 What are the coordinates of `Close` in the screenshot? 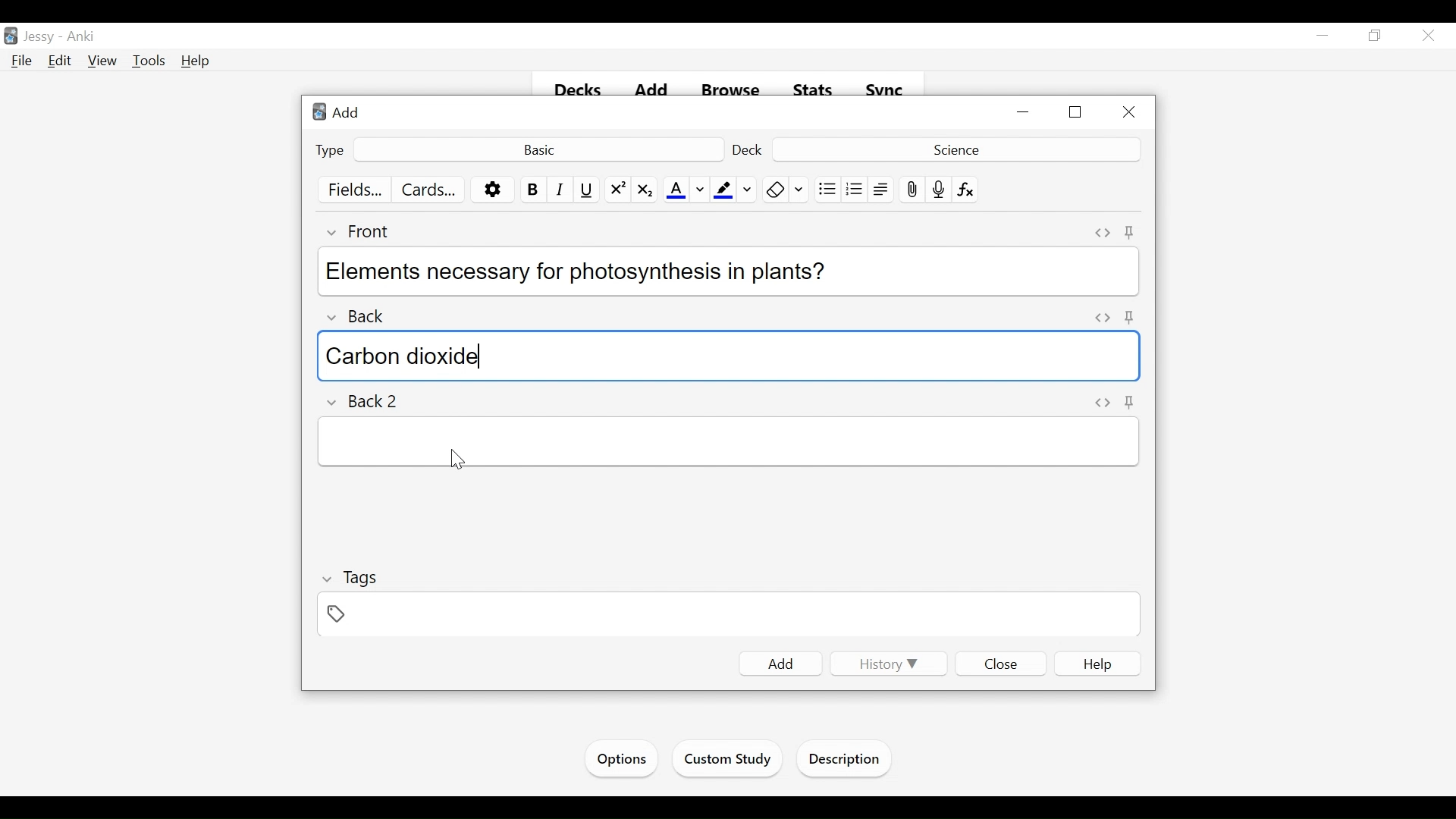 It's located at (1002, 663).